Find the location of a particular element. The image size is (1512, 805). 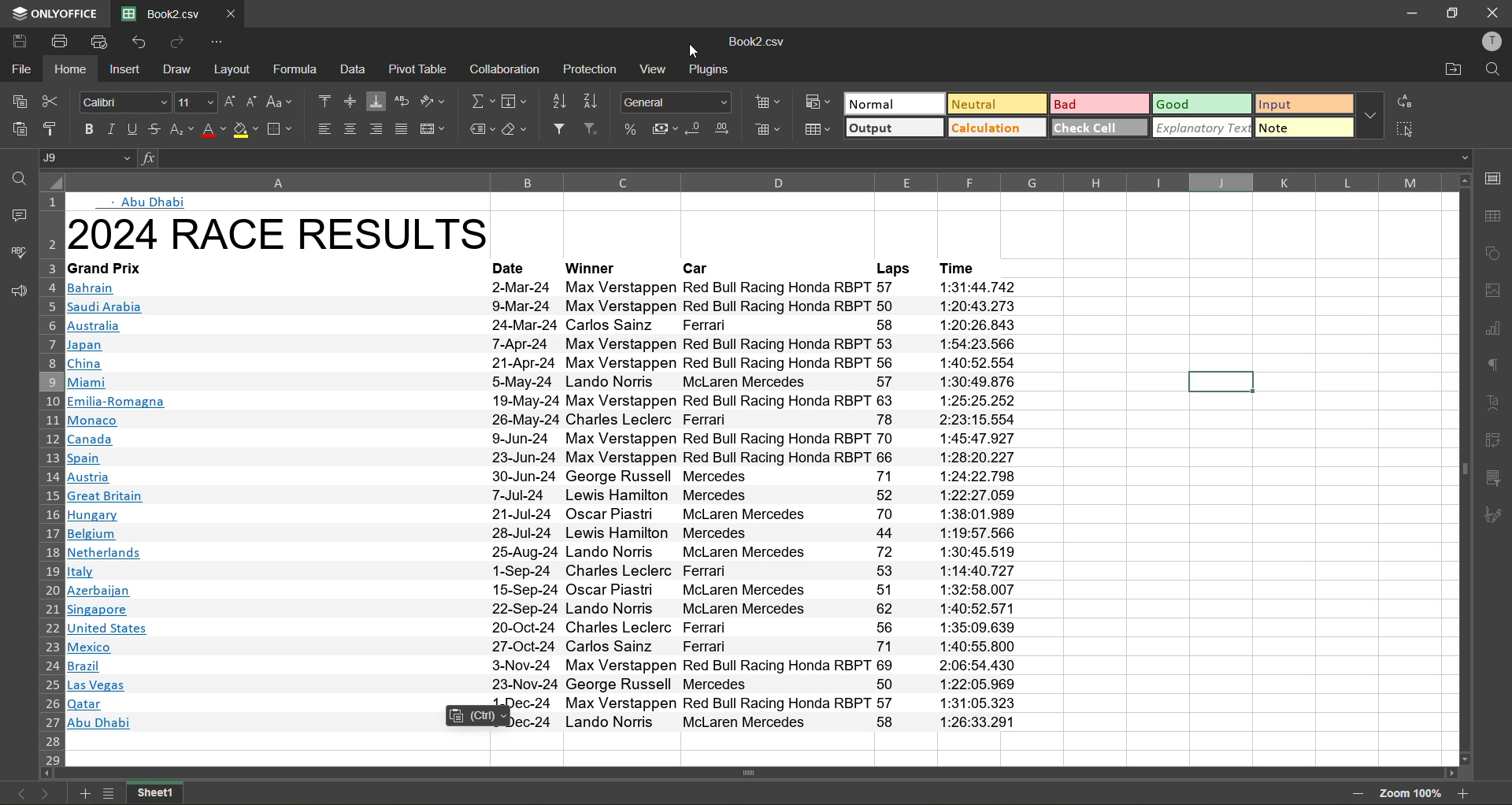

signature is located at coordinates (1497, 518).